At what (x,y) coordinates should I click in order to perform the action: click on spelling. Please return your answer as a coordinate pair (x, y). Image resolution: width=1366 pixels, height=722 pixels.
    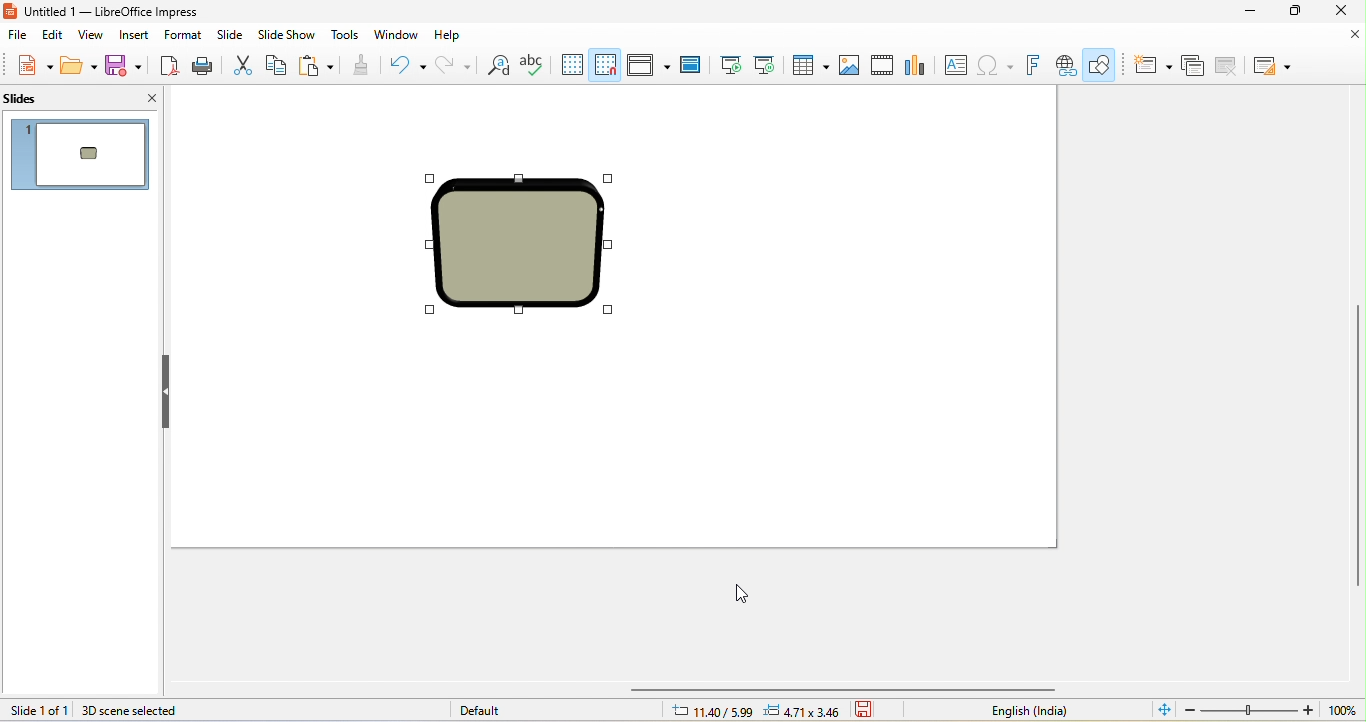
    Looking at the image, I should click on (536, 64).